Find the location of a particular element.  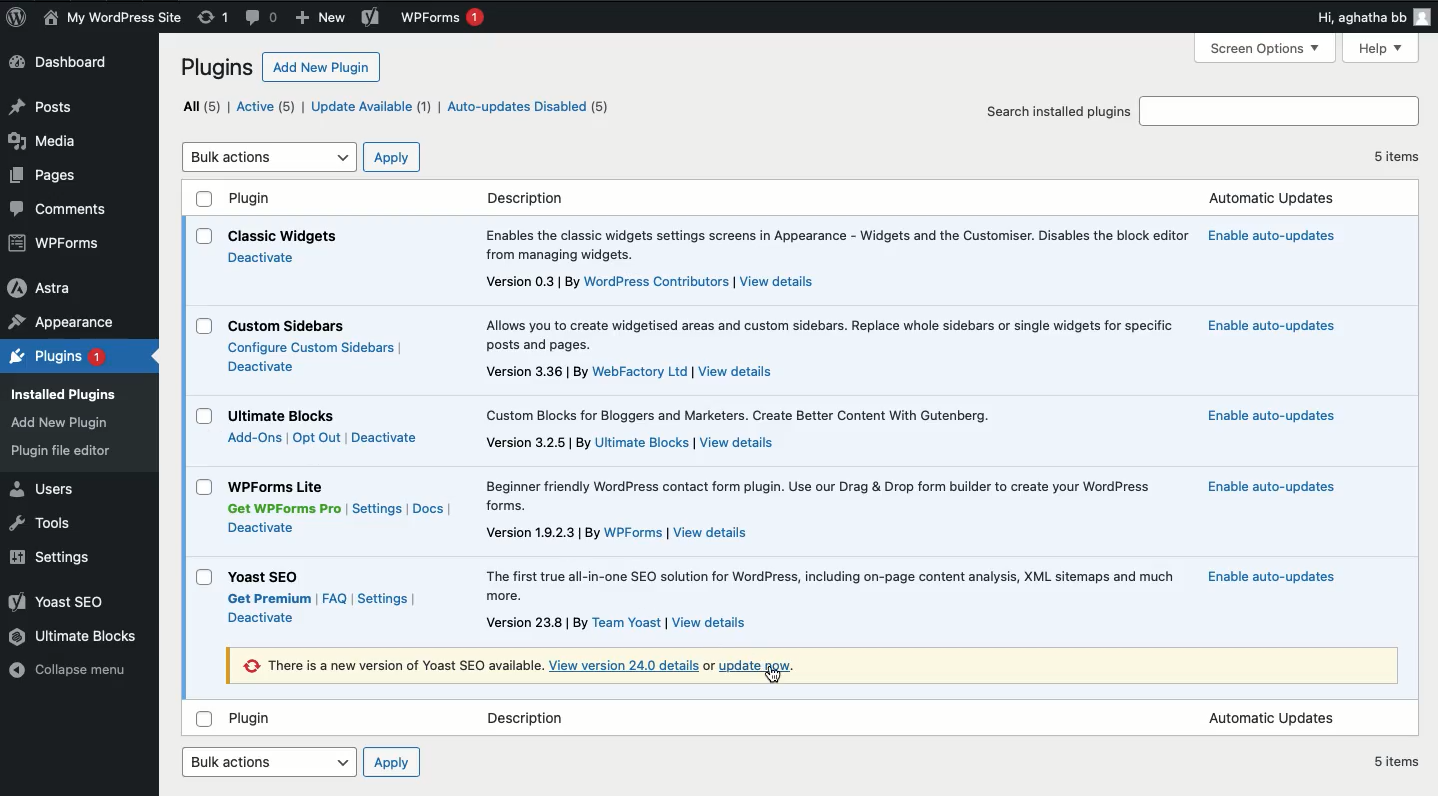

Configure custom sidebars is located at coordinates (314, 348).